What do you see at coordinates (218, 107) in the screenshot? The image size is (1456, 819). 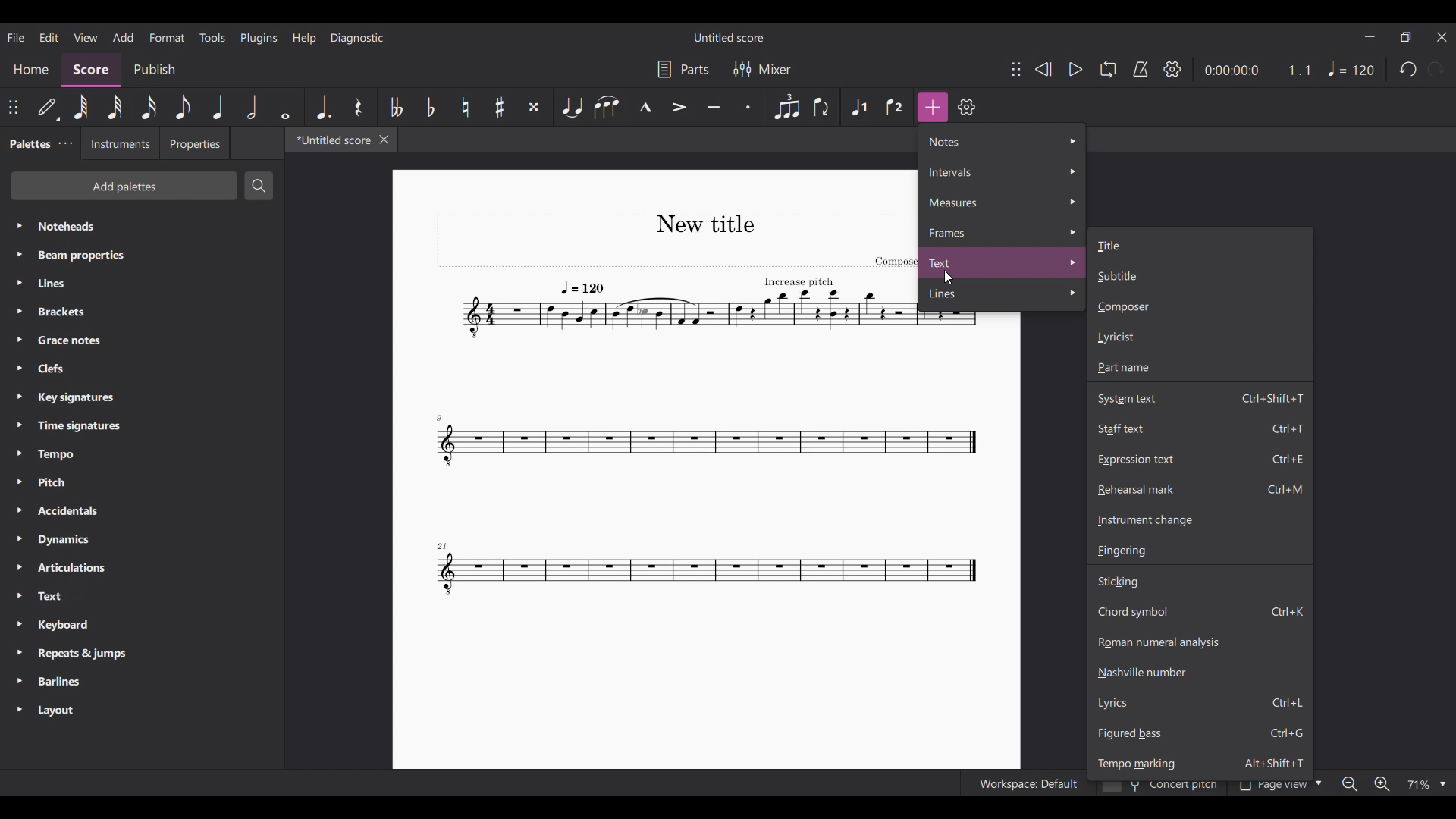 I see `Quarter note` at bounding box center [218, 107].